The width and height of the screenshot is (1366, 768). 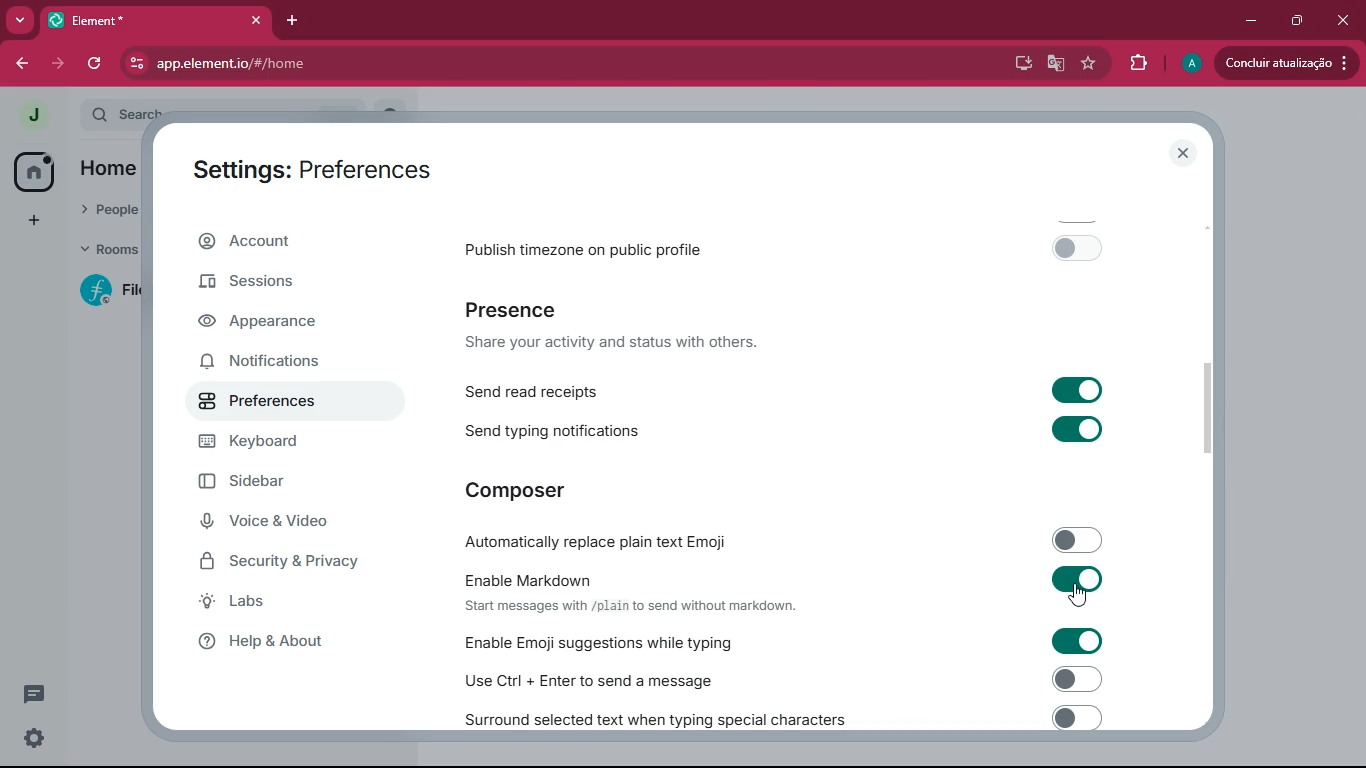 I want to click on profile, so click(x=31, y=113).